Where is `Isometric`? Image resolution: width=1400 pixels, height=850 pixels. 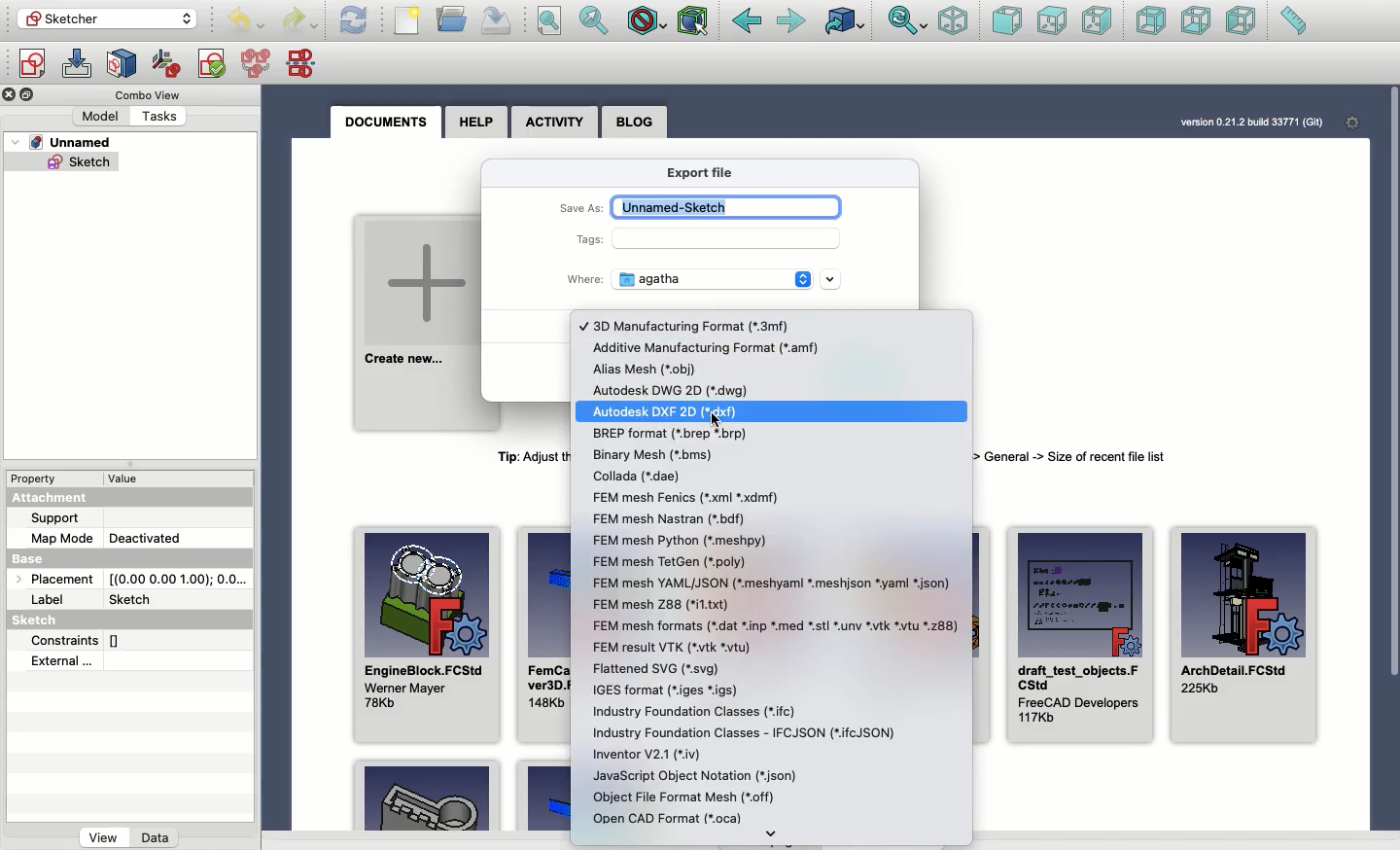
Isometric is located at coordinates (953, 22).